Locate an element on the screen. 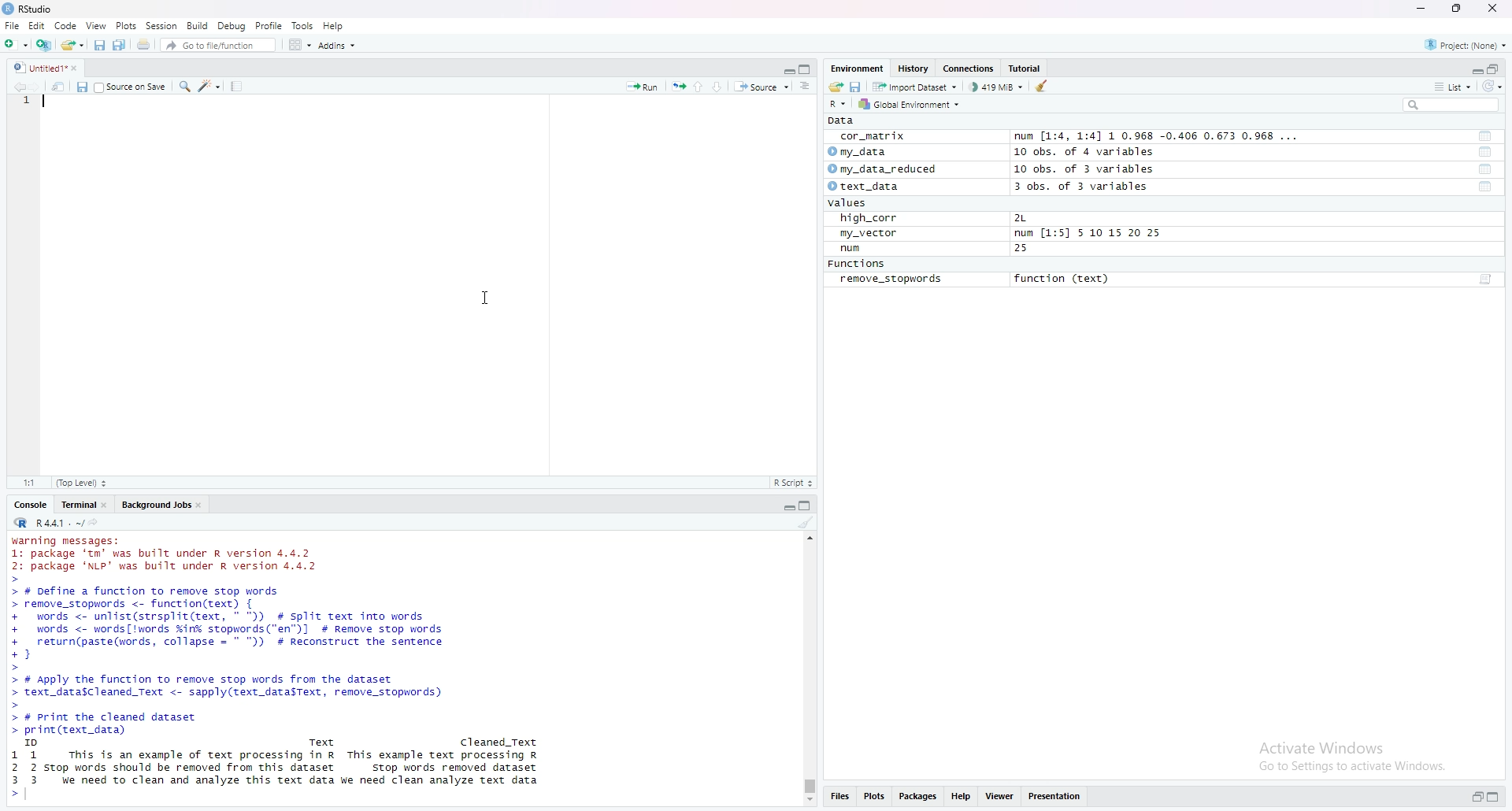  Save is located at coordinates (97, 45).